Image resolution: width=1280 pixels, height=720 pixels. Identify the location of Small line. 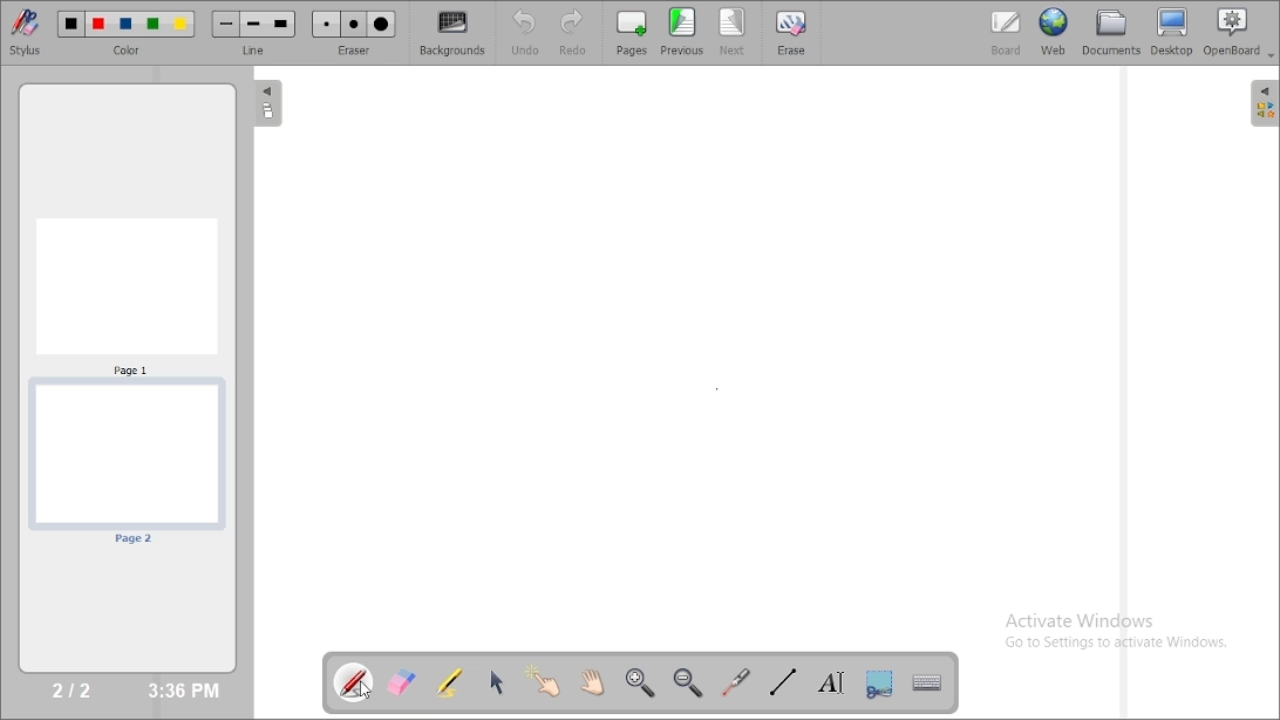
(226, 24).